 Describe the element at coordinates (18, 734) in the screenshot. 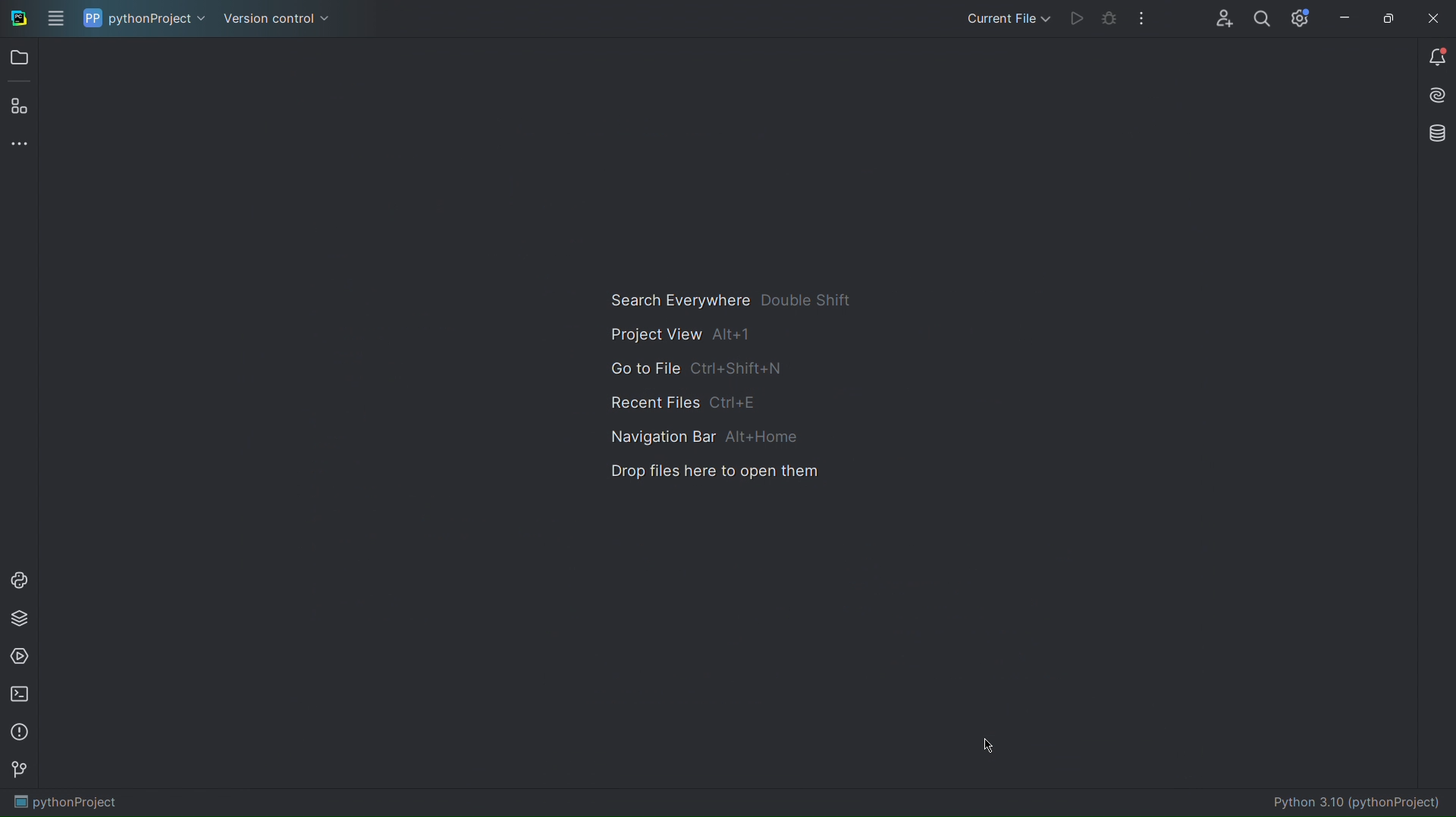

I see `Problems` at that location.